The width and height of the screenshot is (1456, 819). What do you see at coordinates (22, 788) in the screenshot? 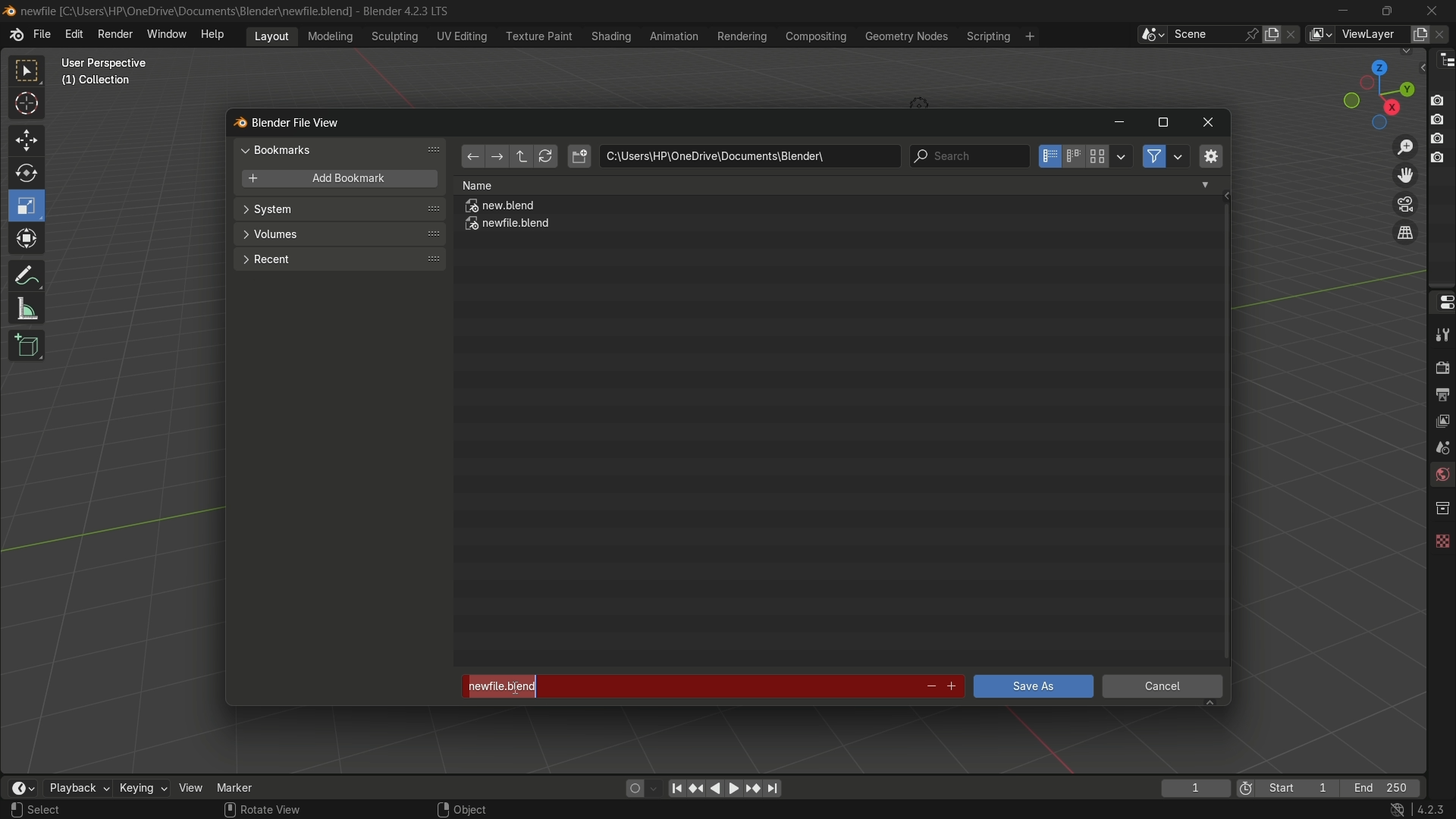
I see `timeline` at bounding box center [22, 788].